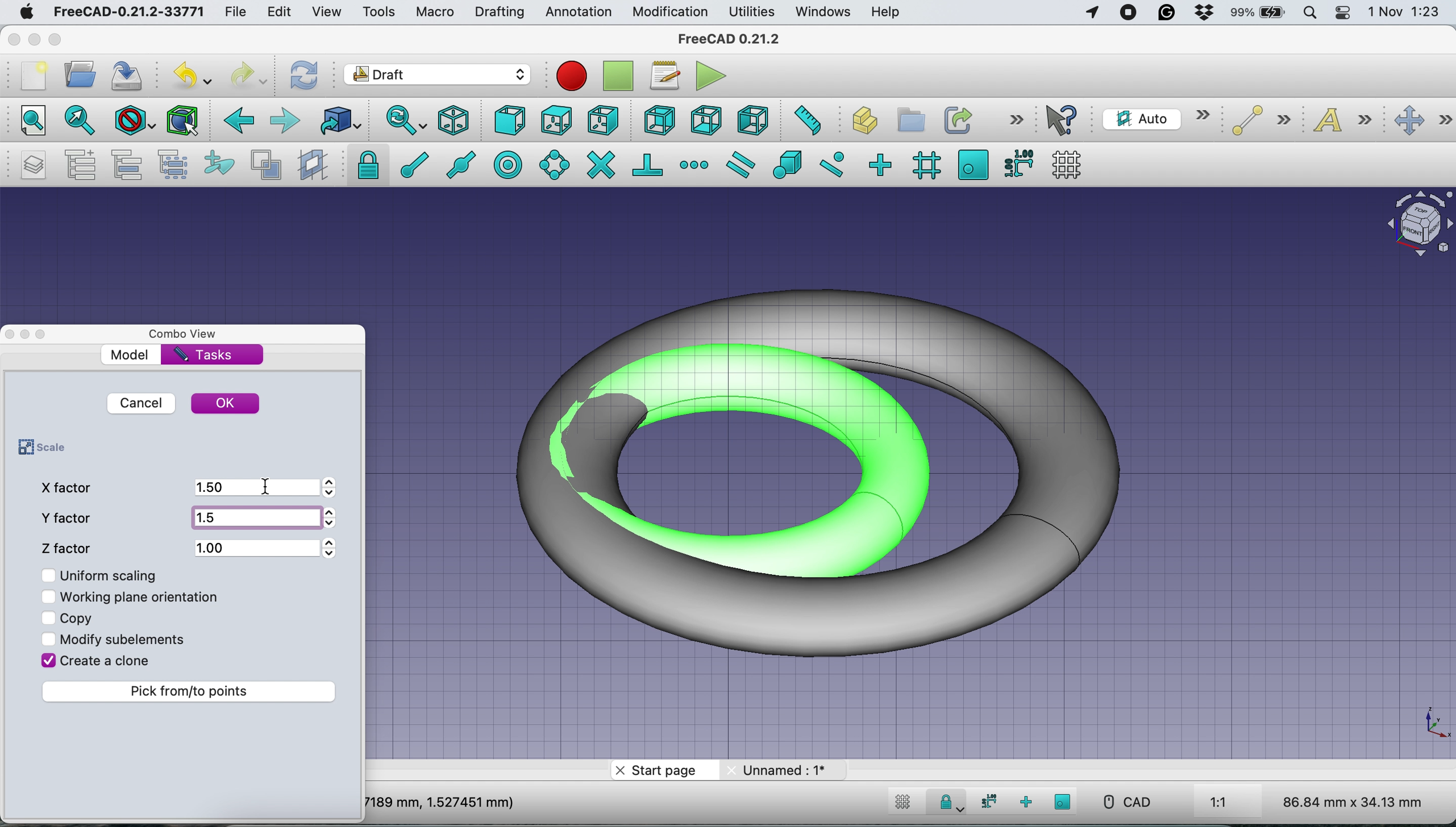 Image resolution: width=1456 pixels, height=827 pixels. Describe the element at coordinates (140, 403) in the screenshot. I see `cancel` at that location.